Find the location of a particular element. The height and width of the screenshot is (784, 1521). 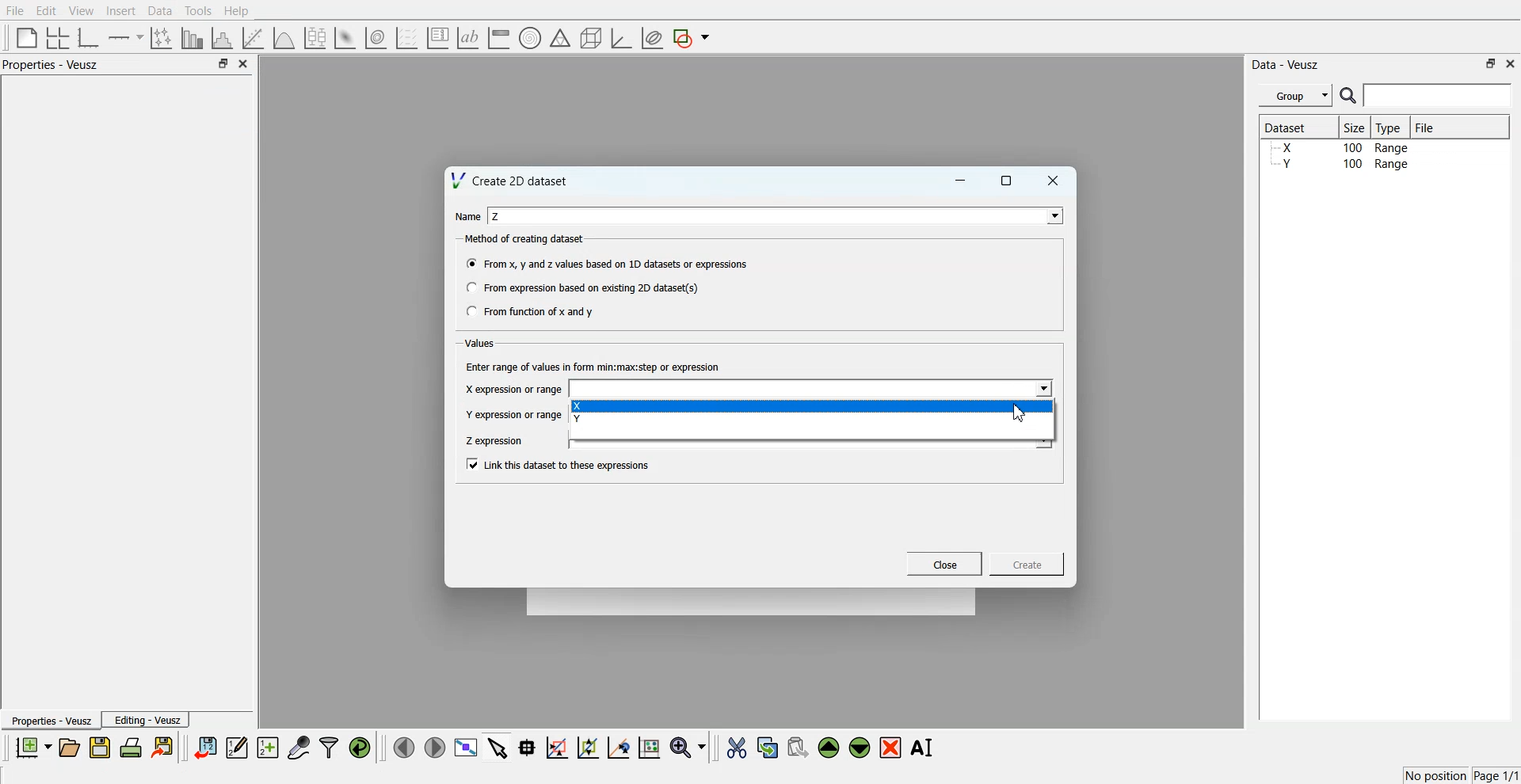

Ternary Graph is located at coordinates (560, 37).